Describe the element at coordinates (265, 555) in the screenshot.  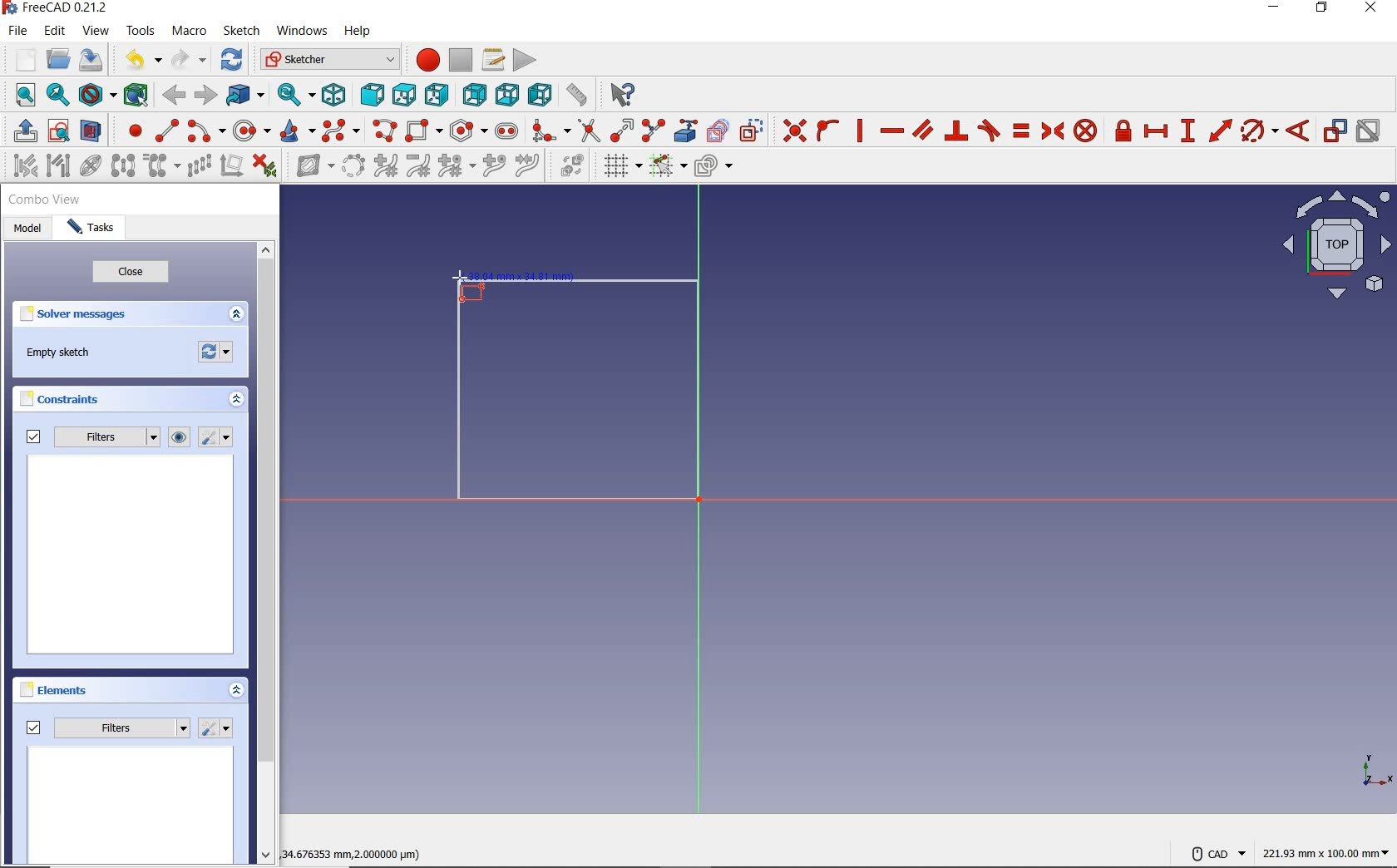
I see `scrollbar` at that location.